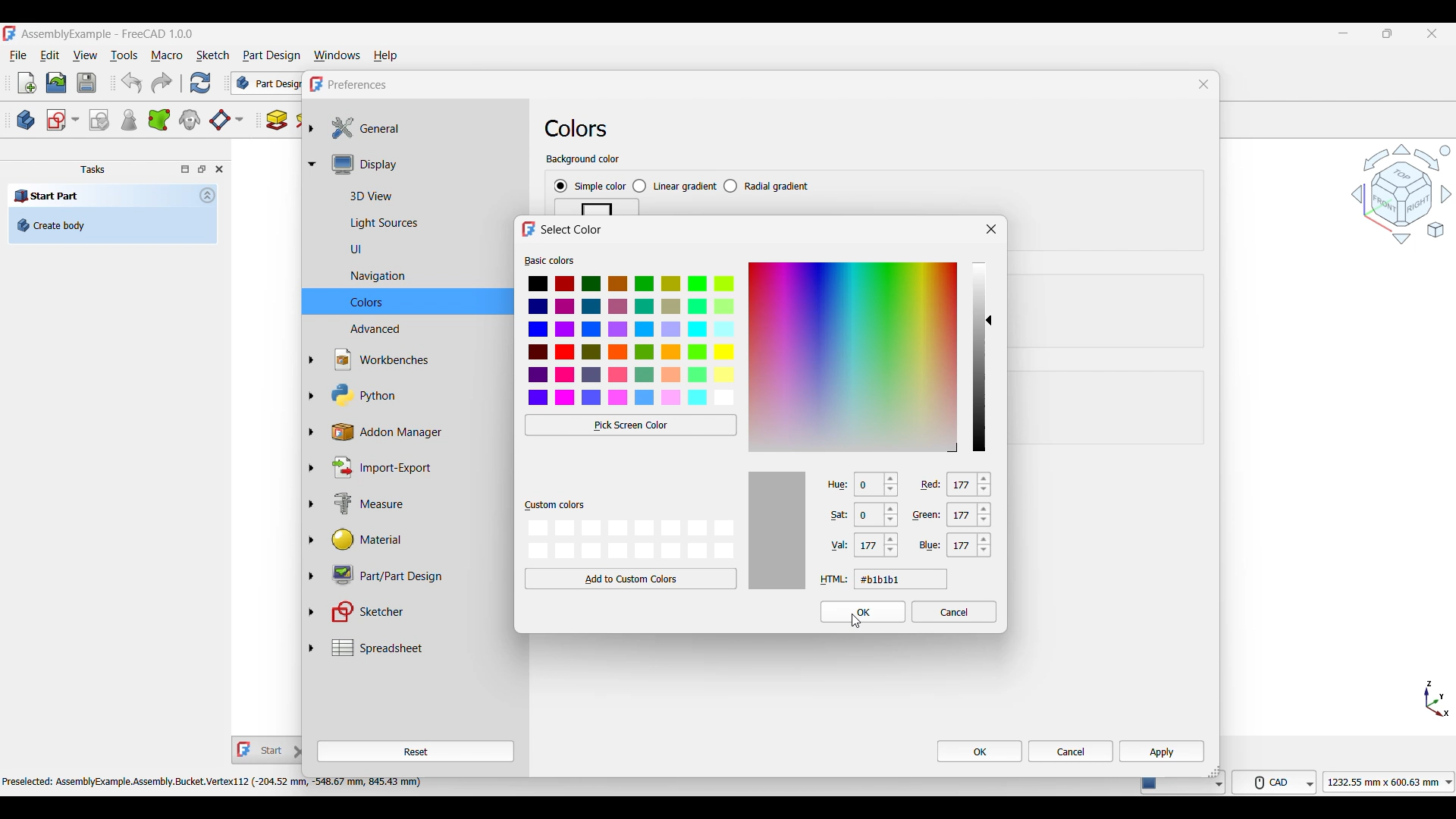 The width and height of the screenshot is (1456, 819). Describe the element at coordinates (853, 356) in the screenshot. I see `Color gradient` at that location.